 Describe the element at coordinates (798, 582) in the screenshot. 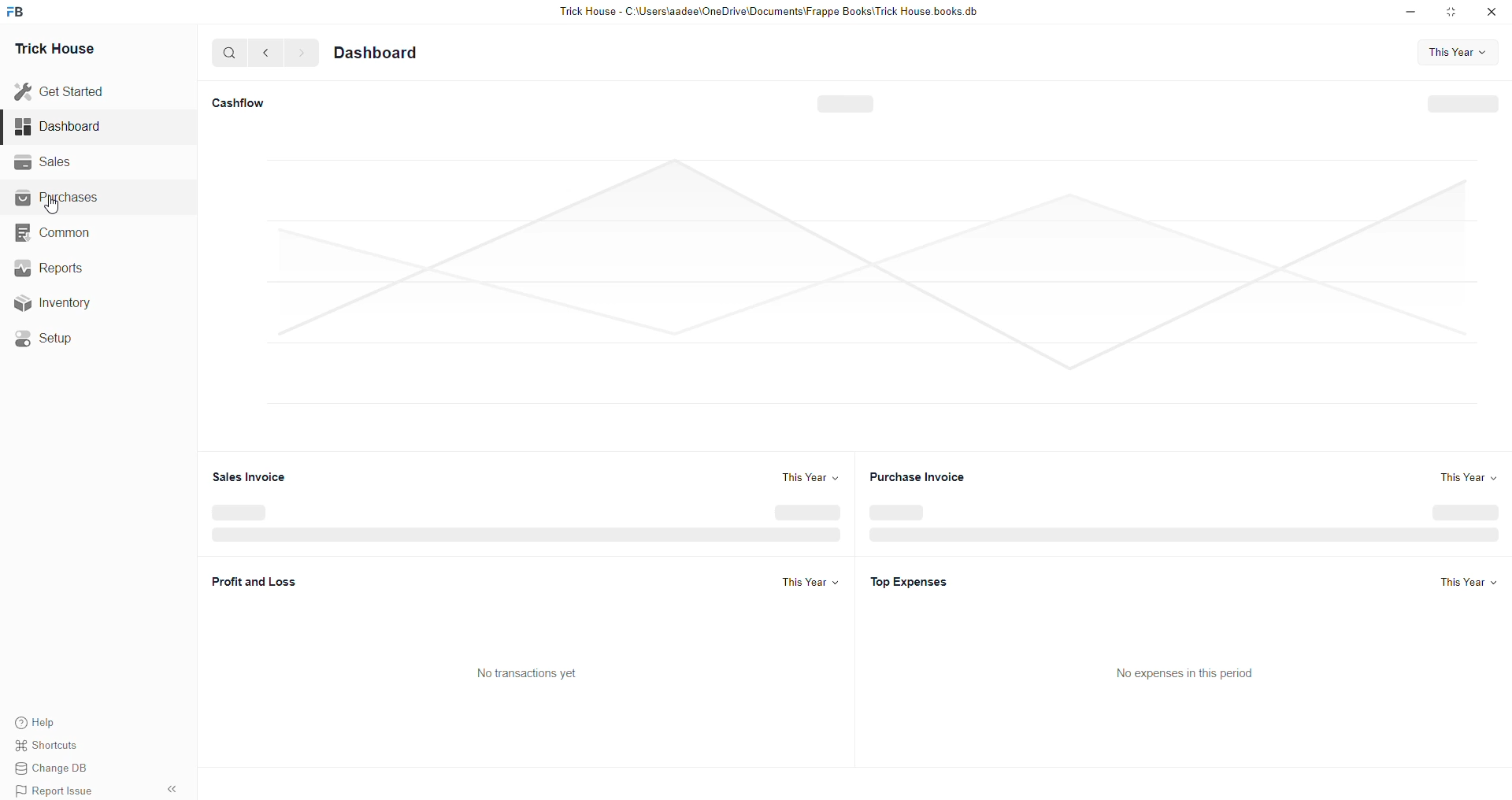

I see `This Year ` at that location.